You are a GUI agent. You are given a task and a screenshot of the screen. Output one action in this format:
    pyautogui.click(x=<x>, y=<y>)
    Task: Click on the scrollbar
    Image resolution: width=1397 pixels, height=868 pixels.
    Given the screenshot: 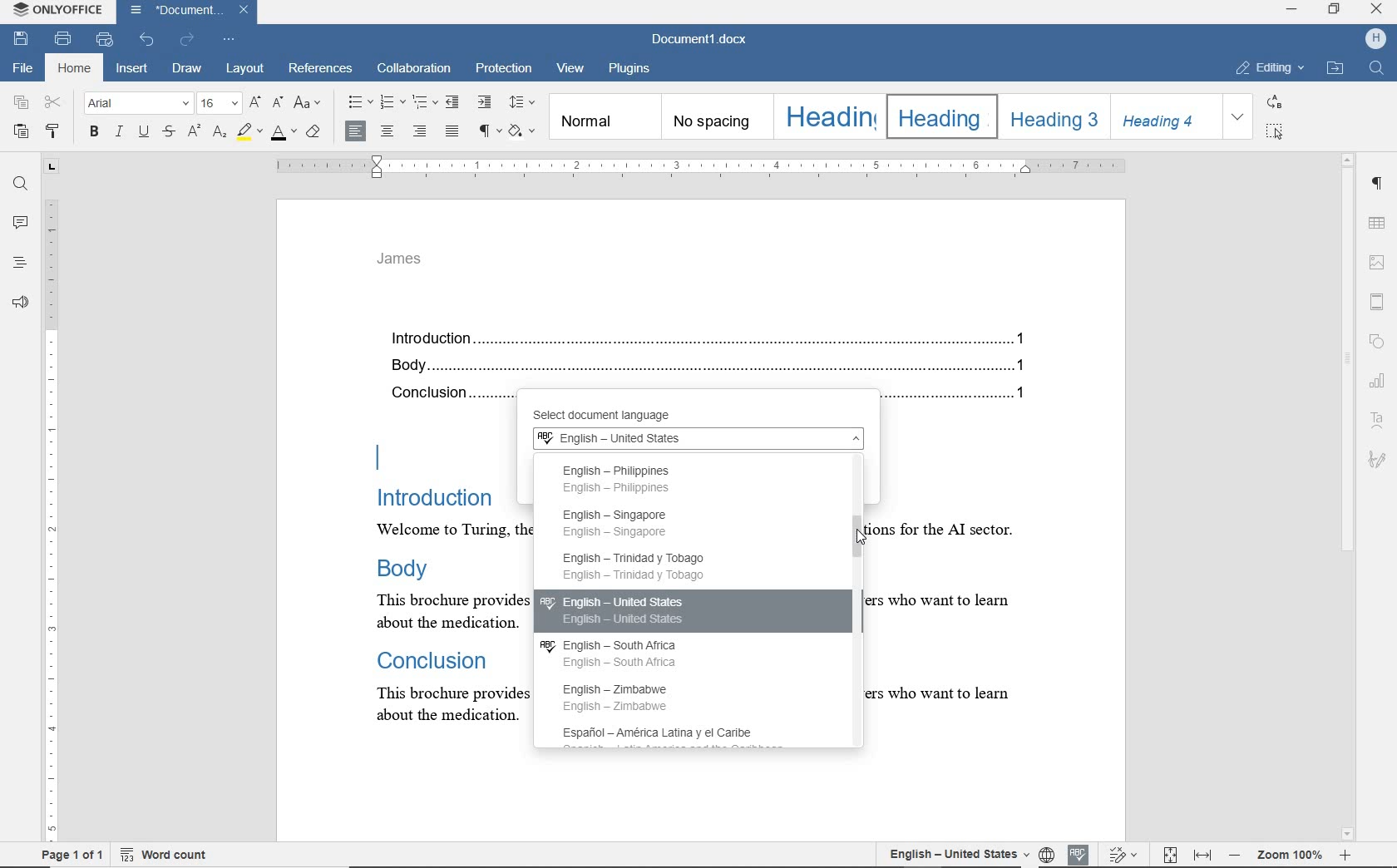 What is the action you would take?
    pyautogui.click(x=853, y=594)
    